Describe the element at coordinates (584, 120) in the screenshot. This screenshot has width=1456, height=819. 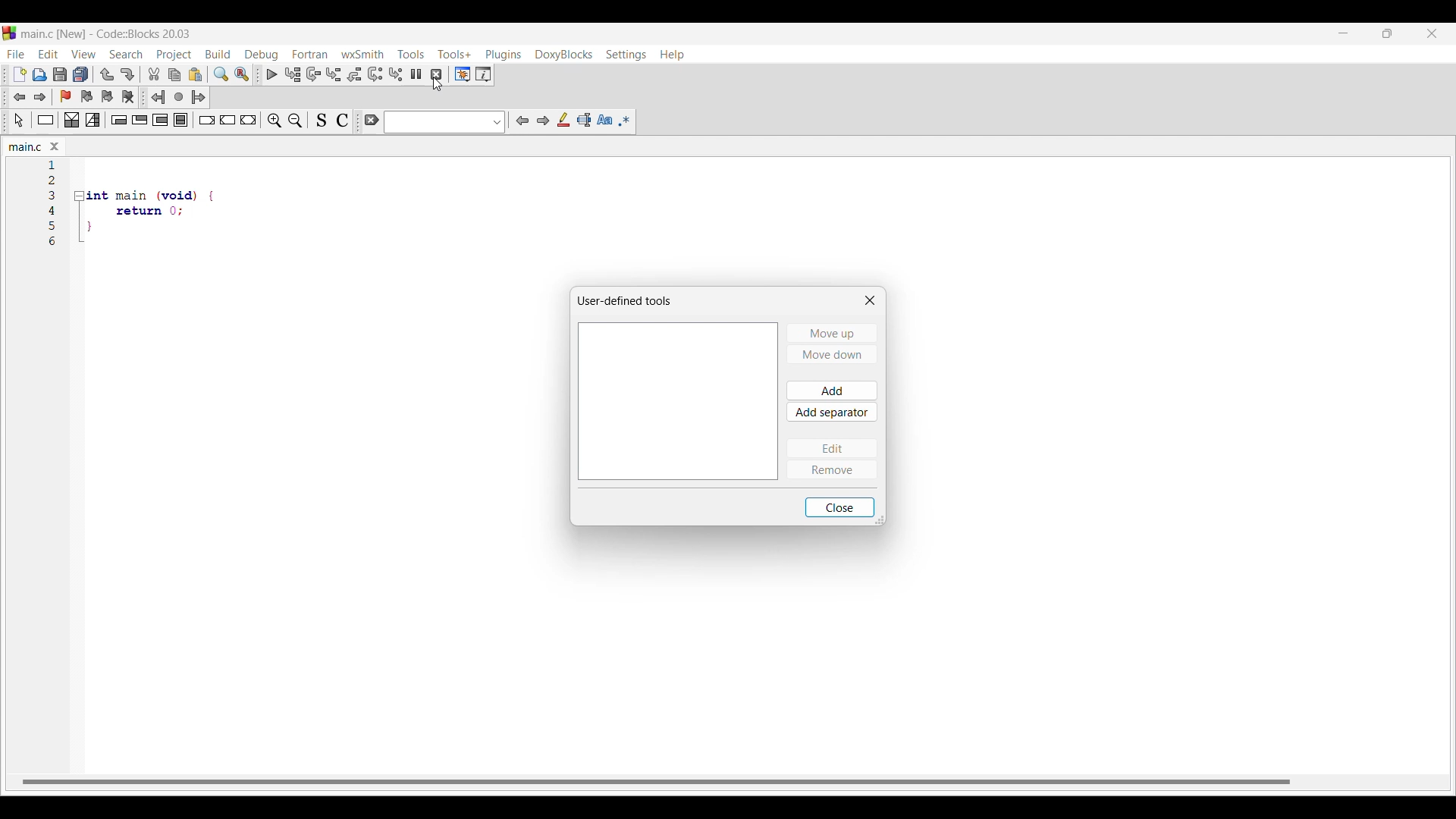
I see `Select text` at that location.